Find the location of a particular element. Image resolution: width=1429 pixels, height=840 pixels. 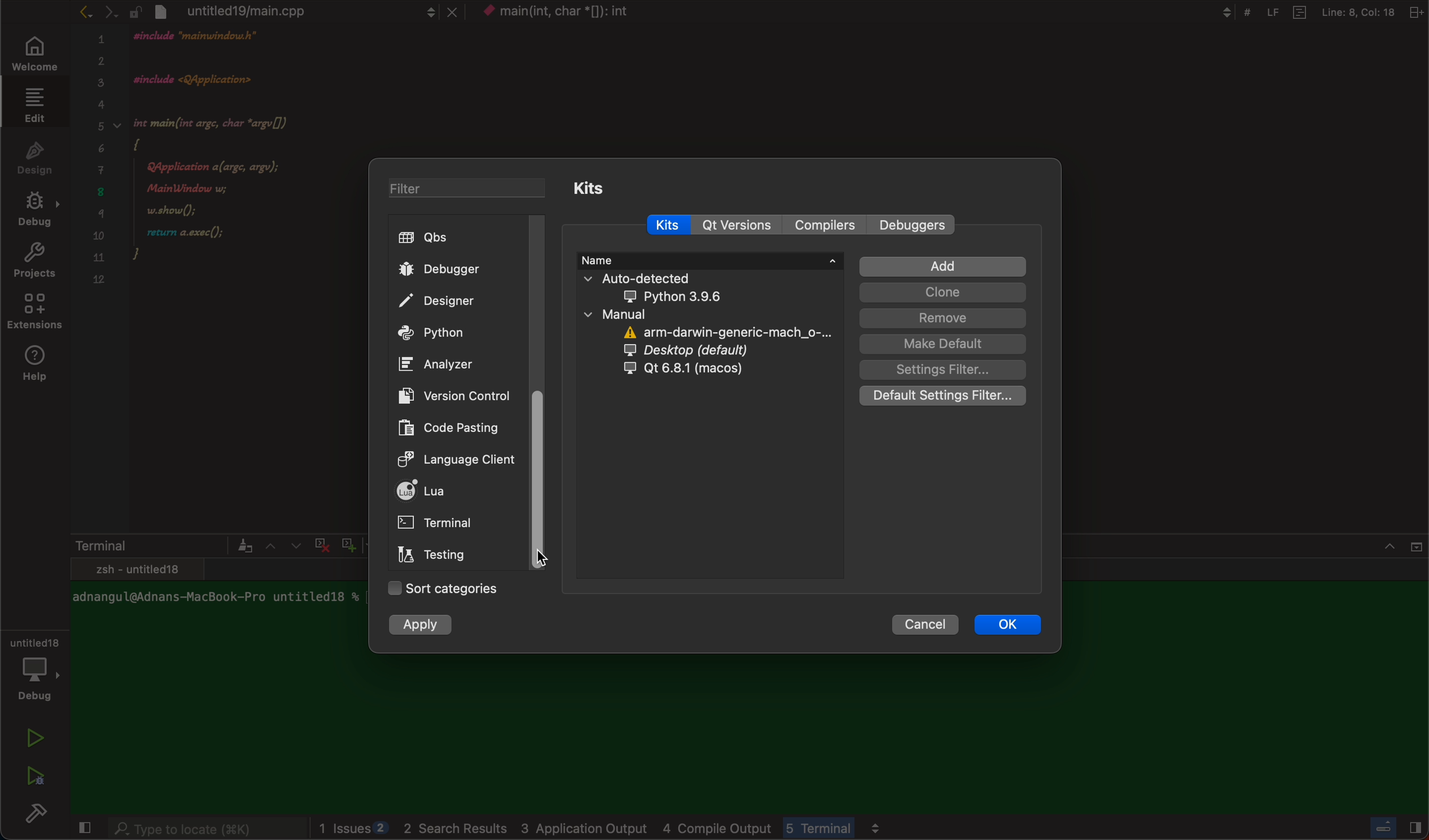

arrows is located at coordinates (282, 545).